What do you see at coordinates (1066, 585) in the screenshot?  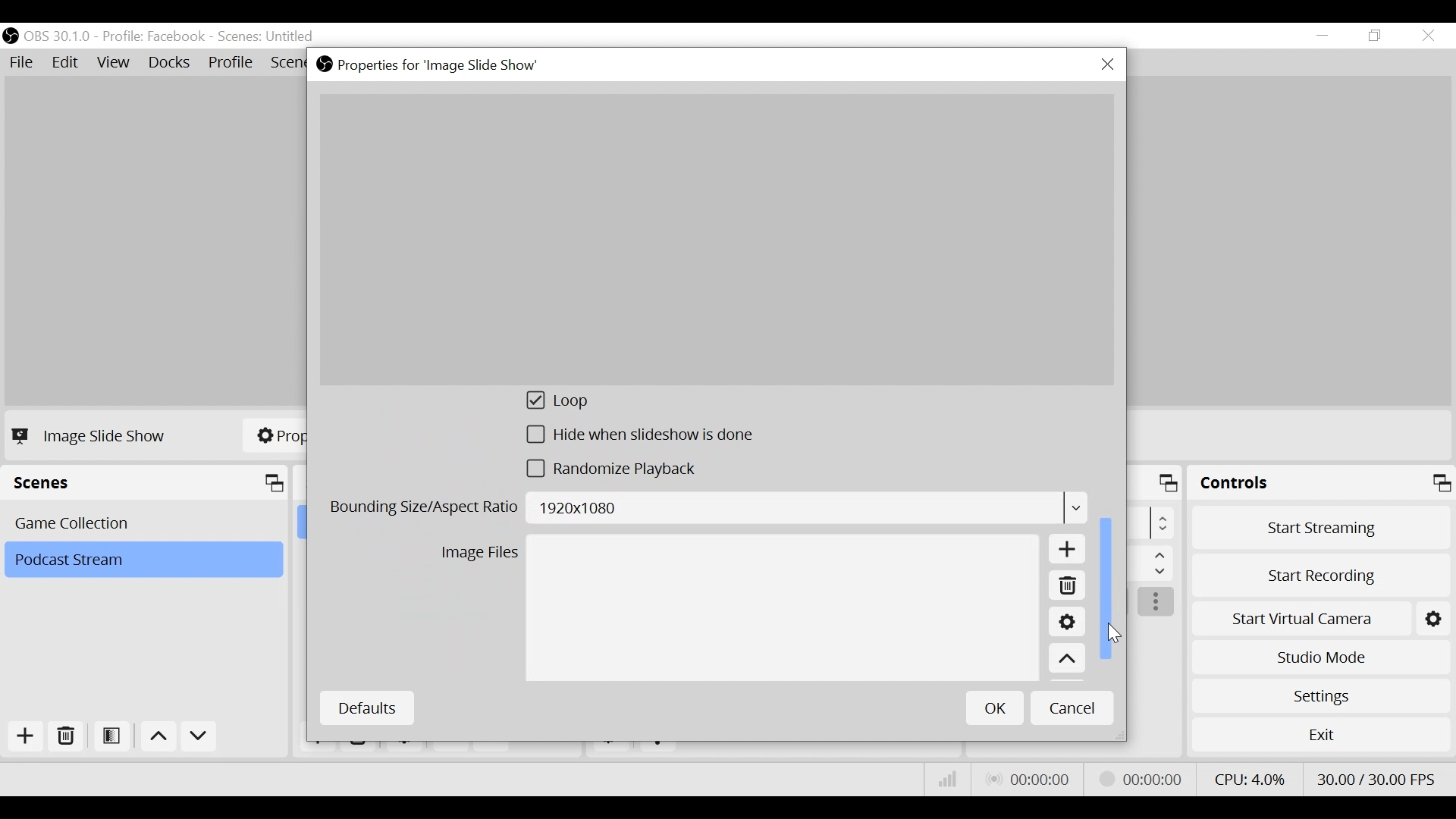 I see `Remove` at bounding box center [1066, 585].